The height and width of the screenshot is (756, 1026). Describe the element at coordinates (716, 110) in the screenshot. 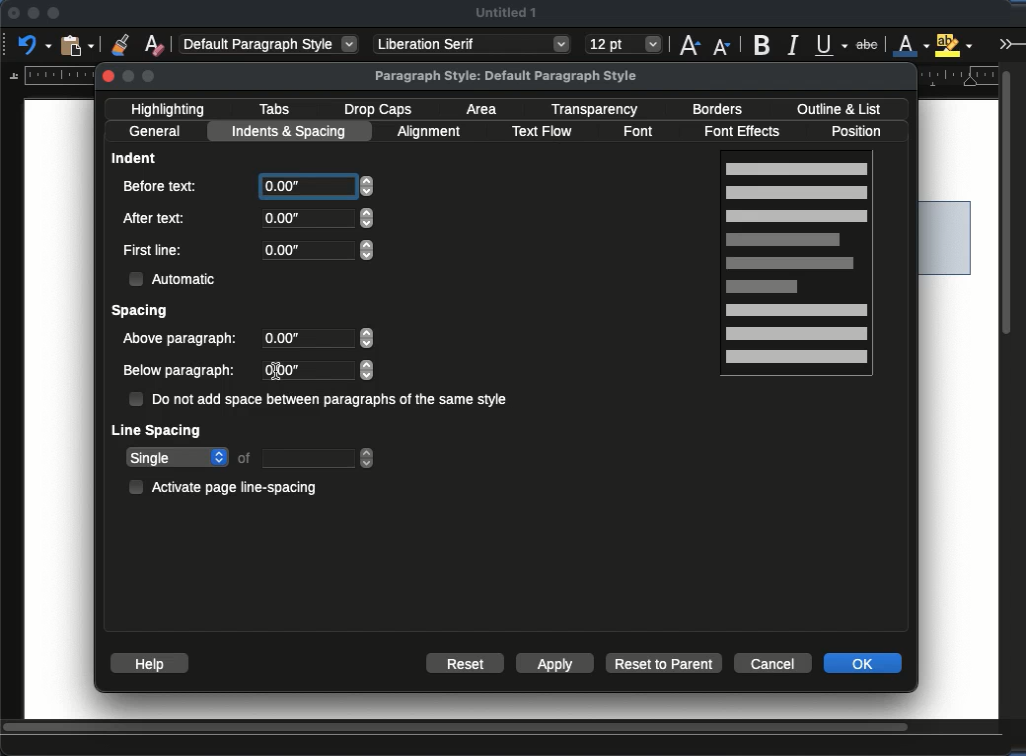

I see `borders` at that location.